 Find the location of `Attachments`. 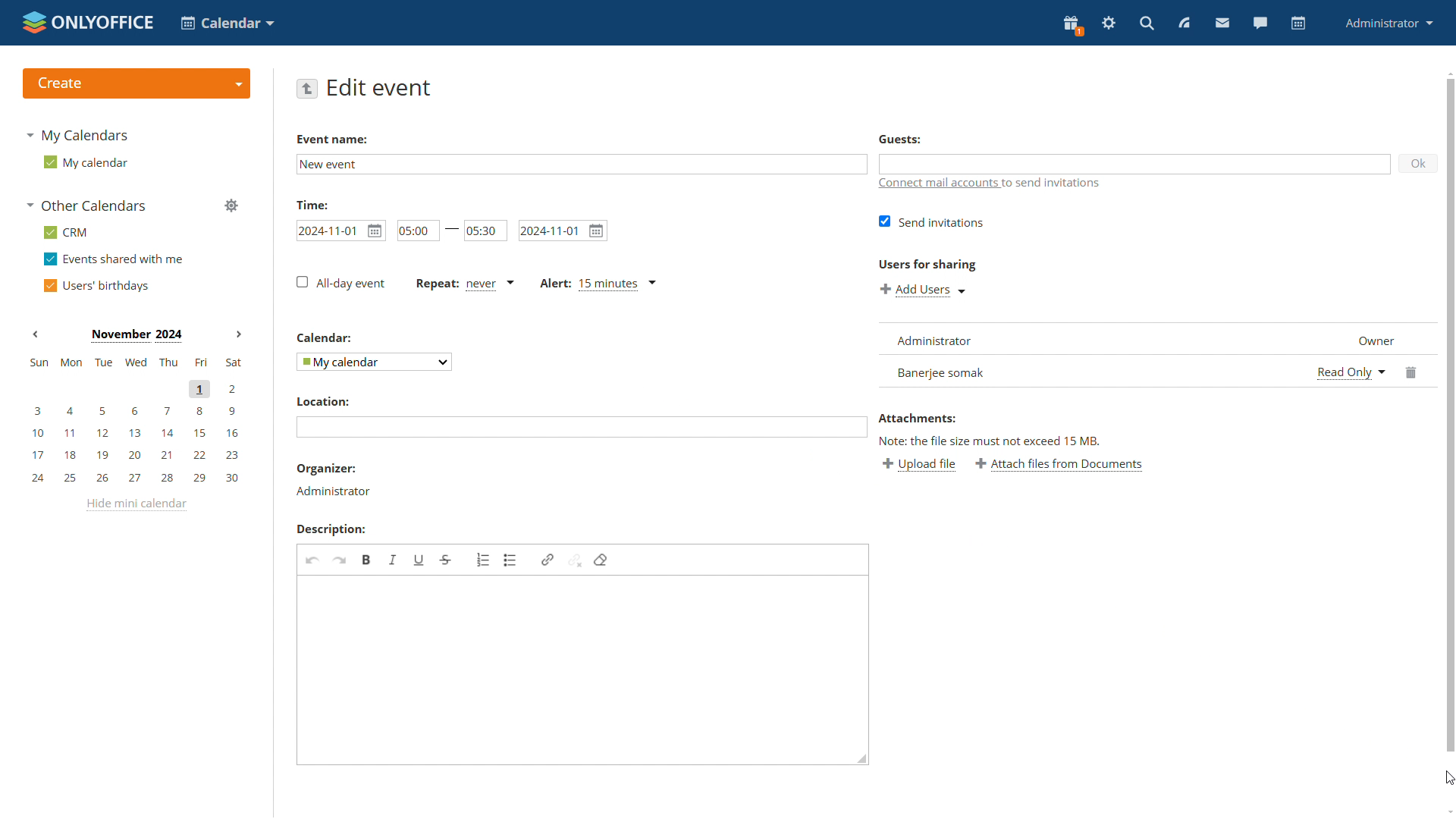

Attachments is located at coordinates (919, 419).